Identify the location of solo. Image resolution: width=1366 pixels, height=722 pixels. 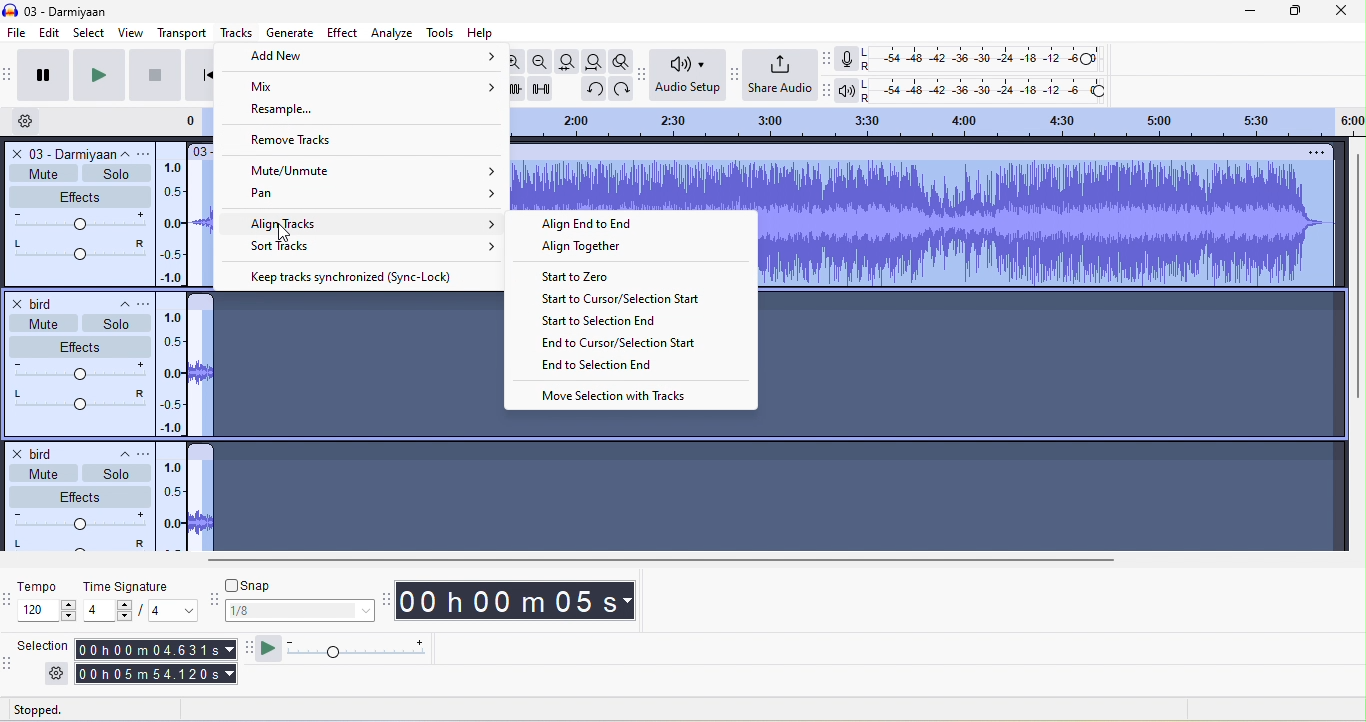
(115, 322).